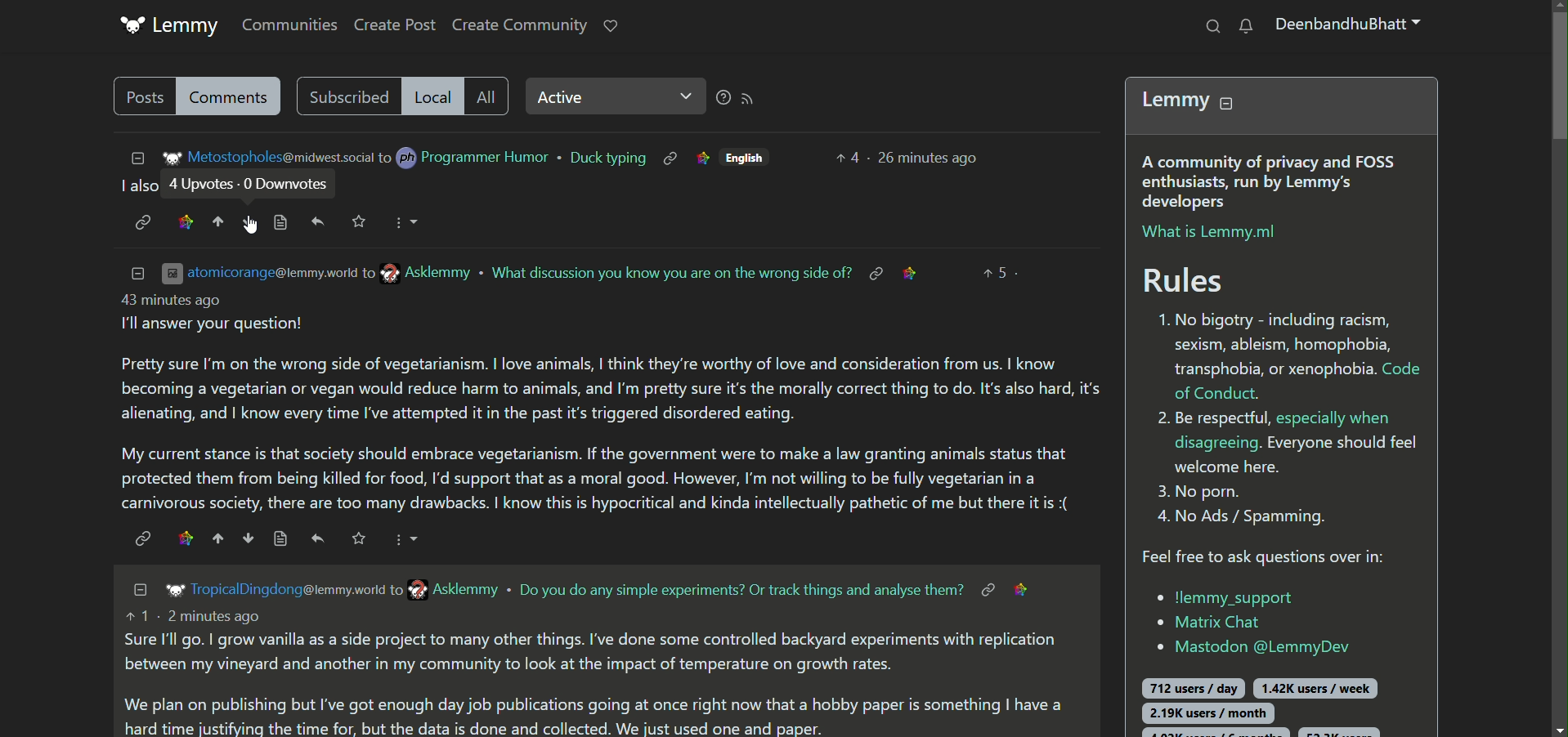 This screenshot has height=737, width=1568. What do you see at coordinates (930, 154) in the screenshot?
I see `update time` at bounding box center [930, 154].